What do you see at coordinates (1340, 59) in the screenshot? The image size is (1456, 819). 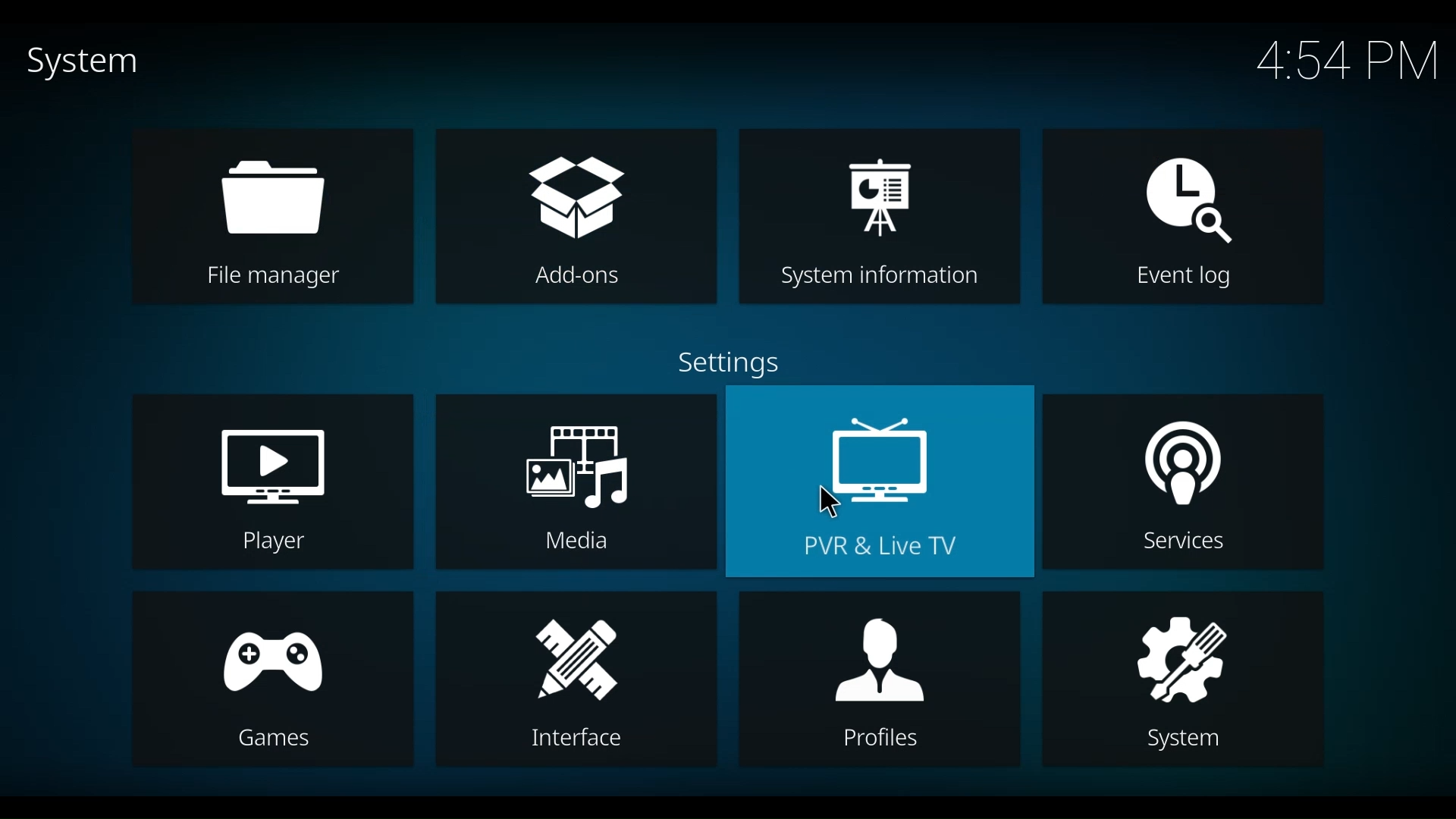 I see `time` at bounding box center [1340, 59].